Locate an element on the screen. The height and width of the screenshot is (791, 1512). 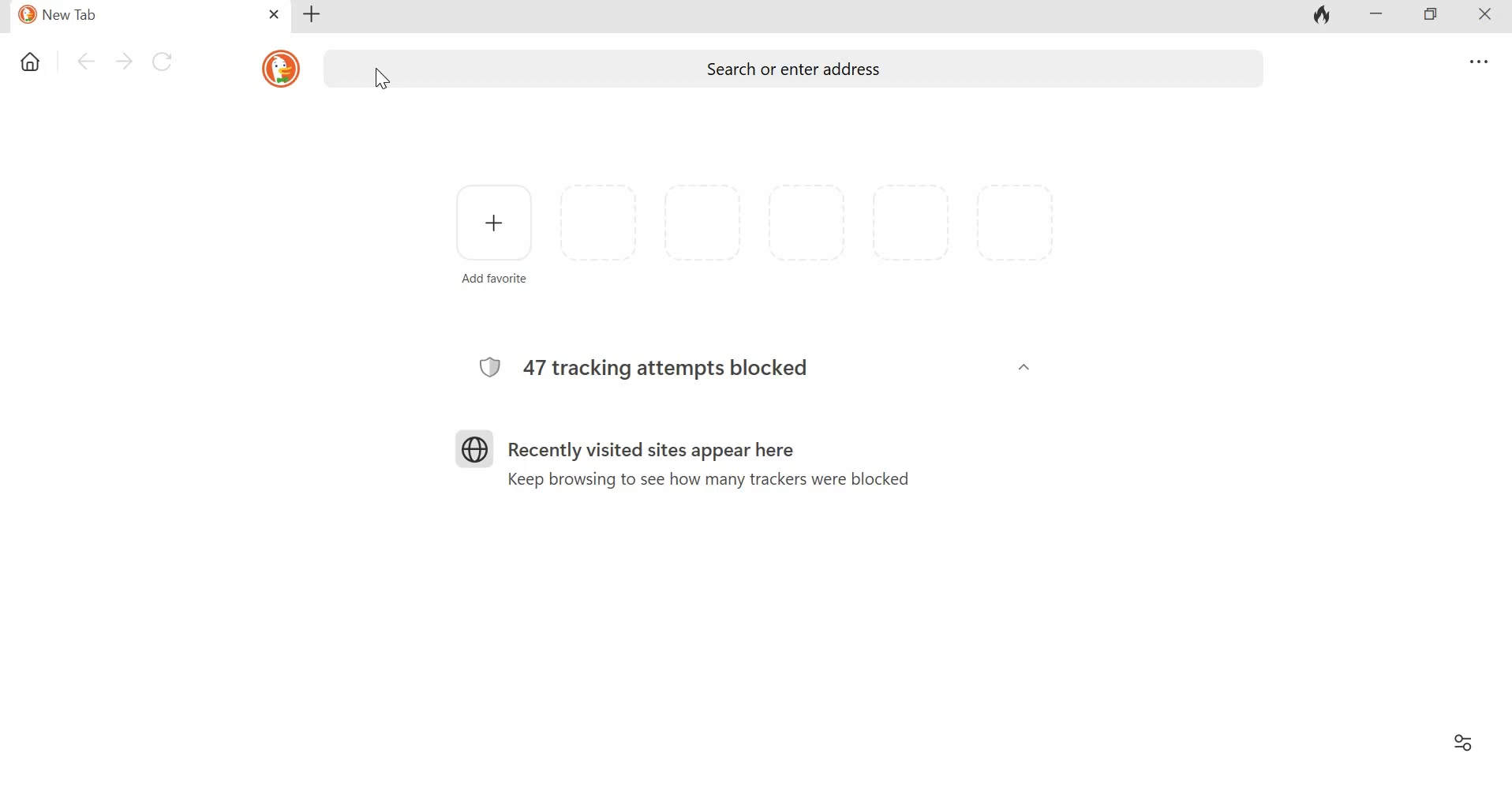
Fire icon is located at coordinates (1323, 17).